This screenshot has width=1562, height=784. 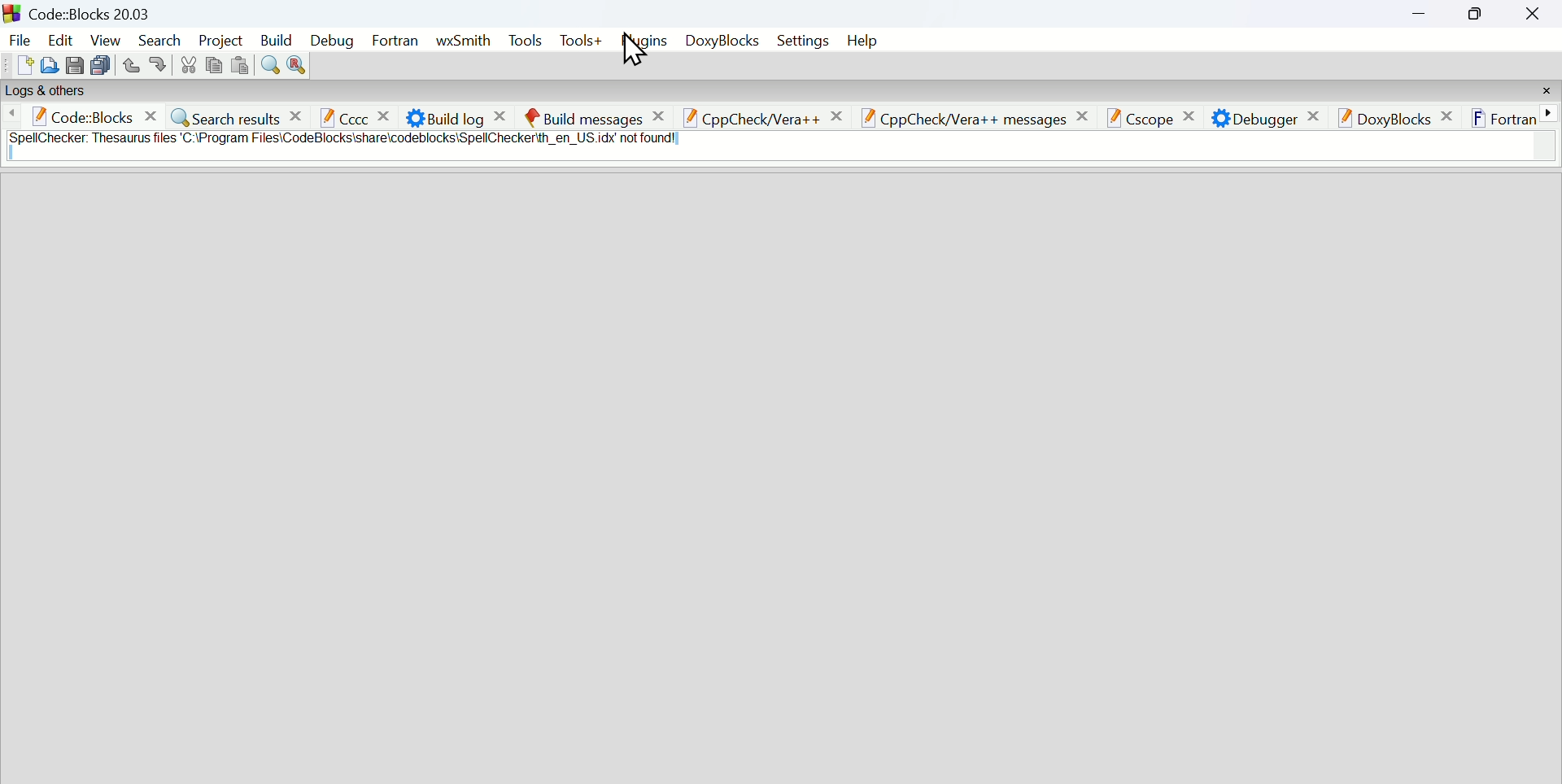 What do you see at coordinates (1399, 116) in the screenshot?
I see `doxyblocks` at bounding box center [1399, 116].